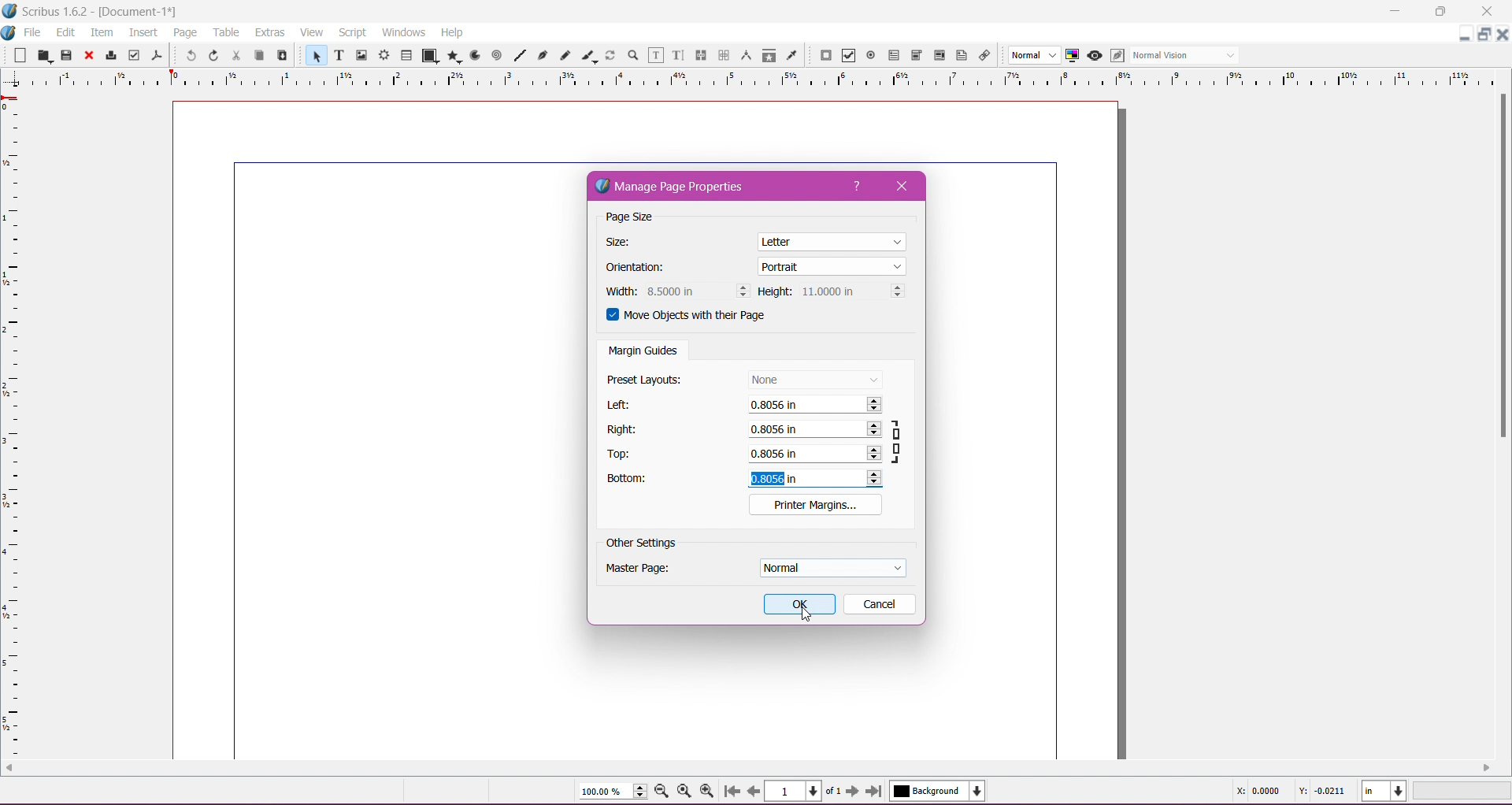 This screenshot has width=1512, height=805. I want to click on Minimize Document, so click(1466, 34).